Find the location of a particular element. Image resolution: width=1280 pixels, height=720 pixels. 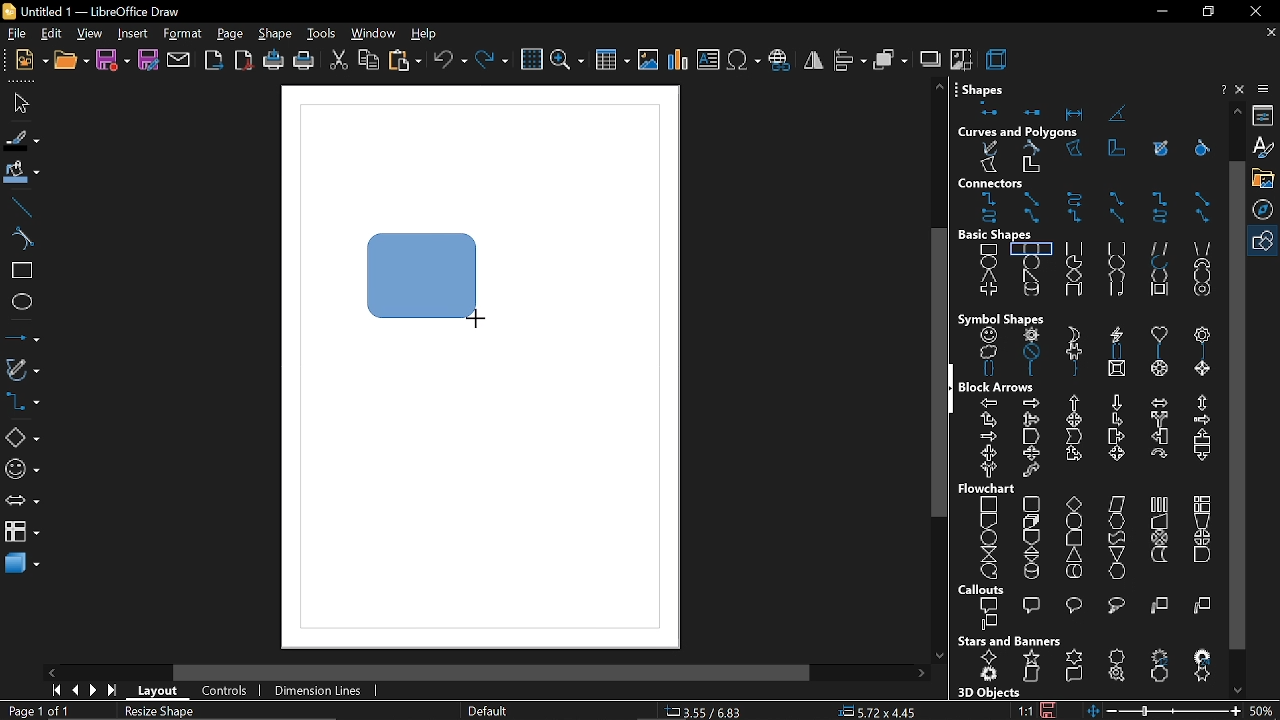

open is located at coordinates (70, 61).